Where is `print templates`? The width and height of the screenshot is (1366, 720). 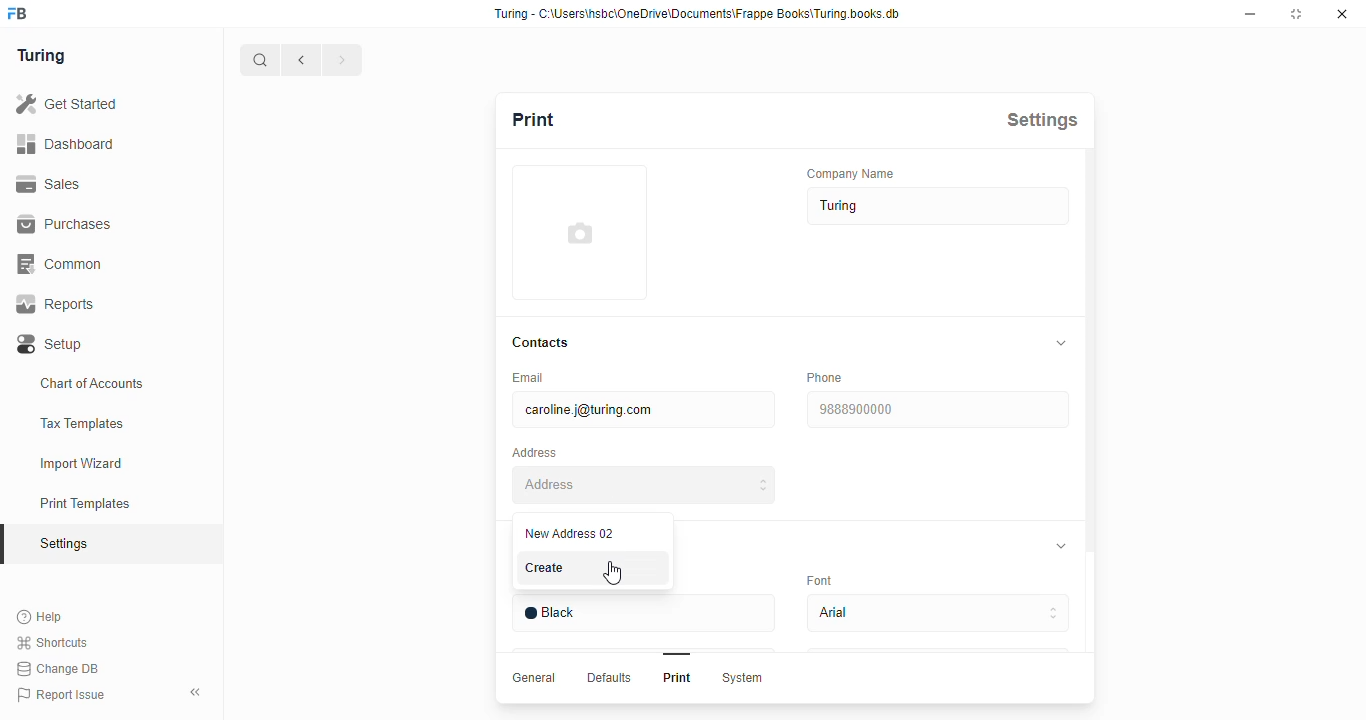
print templates is located at coordinates (85, 503).